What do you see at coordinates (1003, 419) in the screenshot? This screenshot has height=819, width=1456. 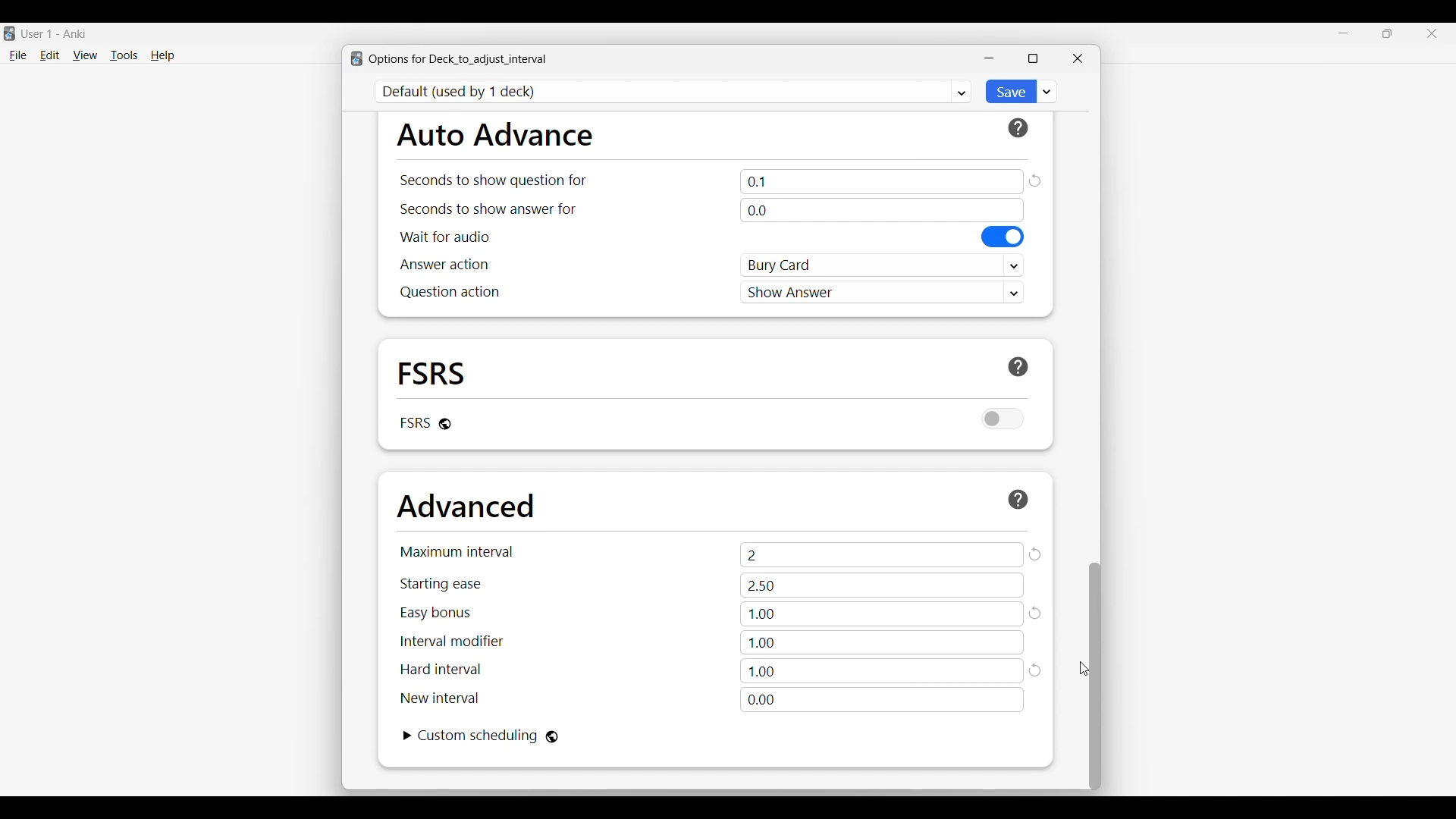 I see `Toggle for FSRS` at bounding box center [1003, 419].